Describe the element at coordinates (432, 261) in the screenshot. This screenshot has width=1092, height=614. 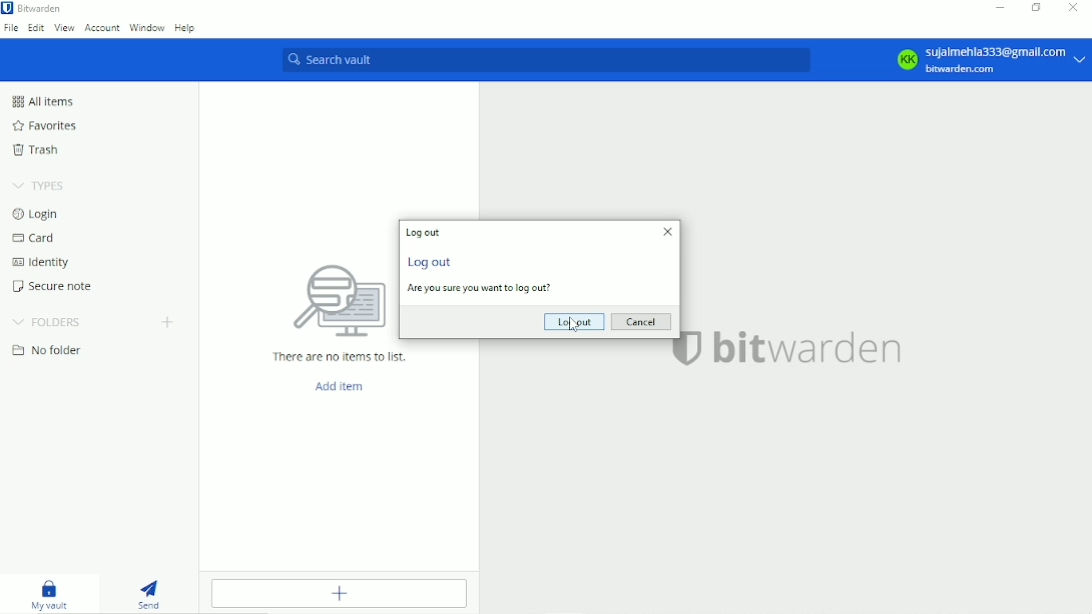
I see `Log out` at that location.